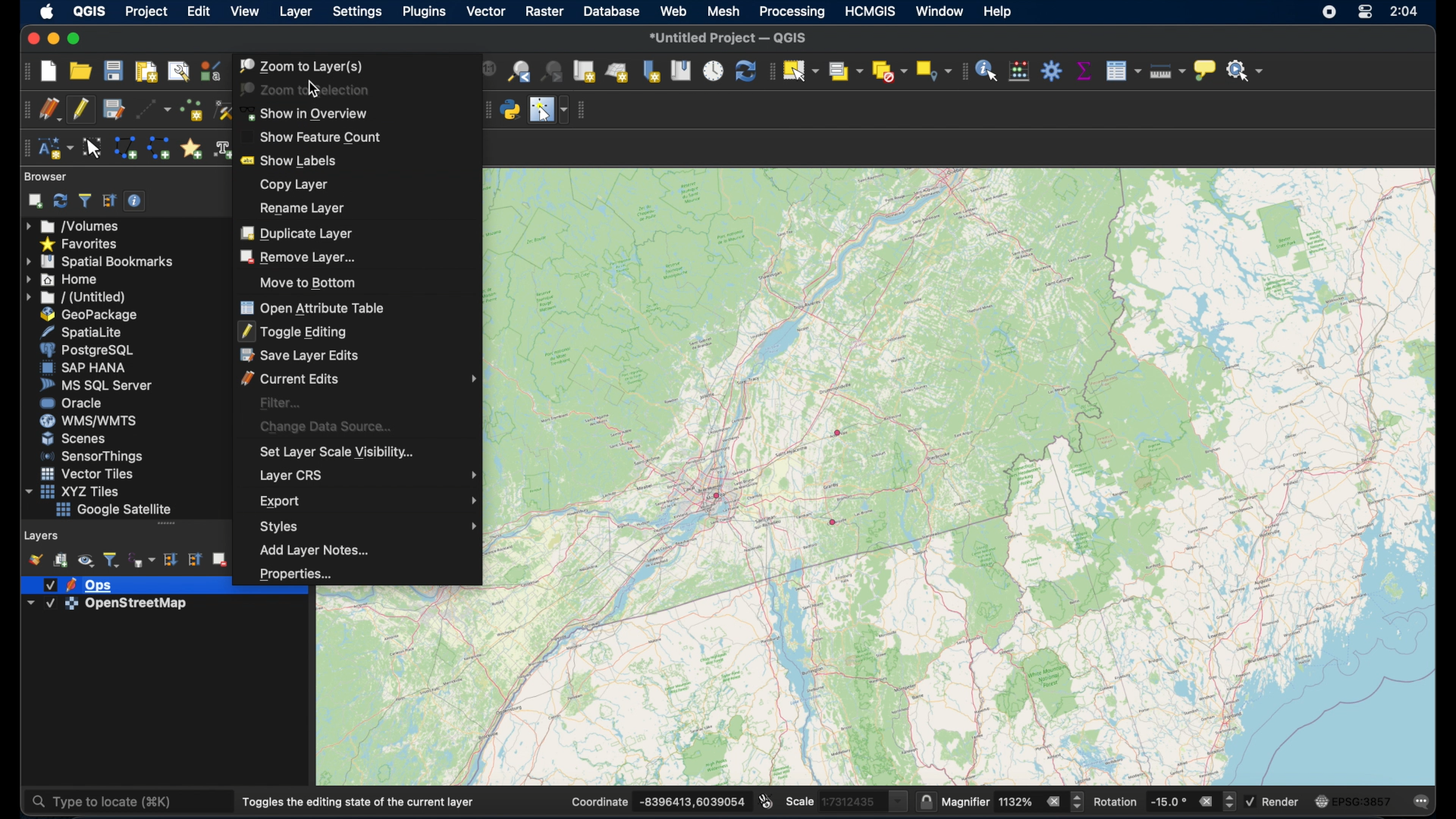 This screenshot has height=819, width=1456. What do you see at coordinates (309, 282) in the screenshot?
I see `move to bottom` at bounding box center [309, 282].